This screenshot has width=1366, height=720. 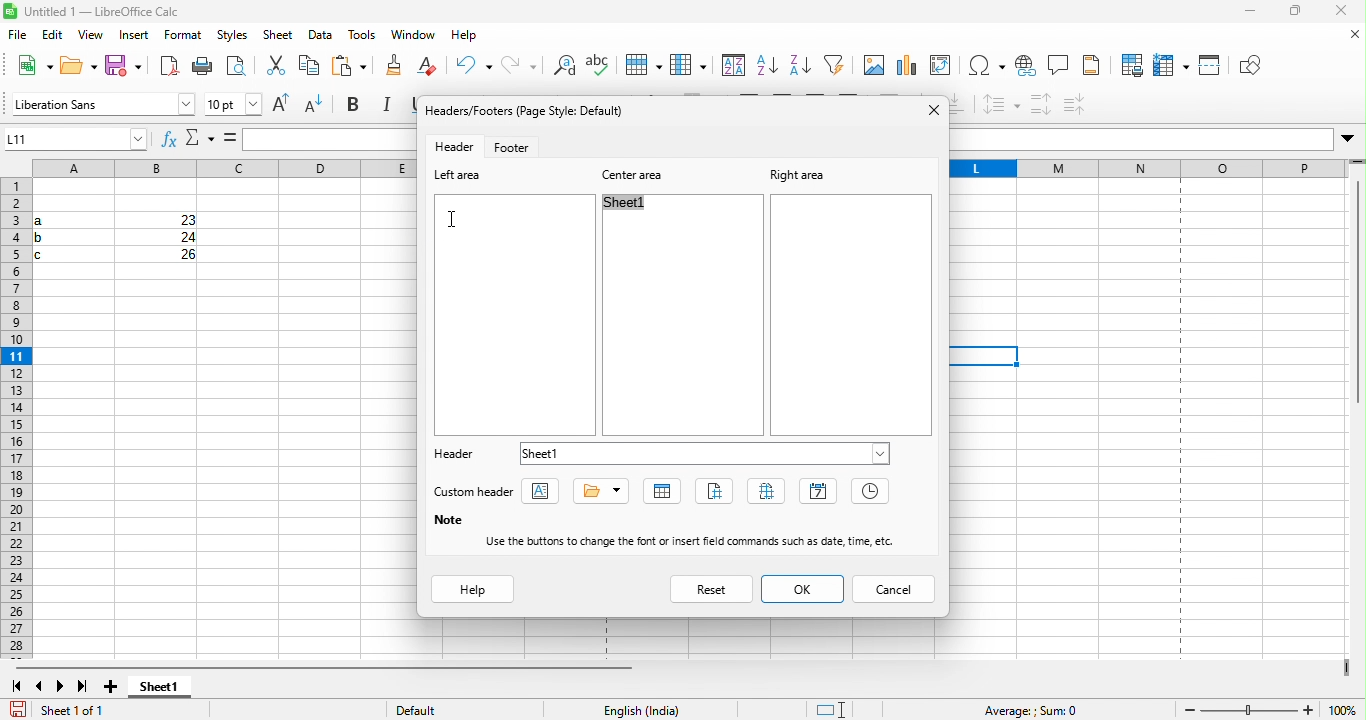 What do you see at coordinates (689, 65) in the screenshot?
I see `sort` at bounding box center [689, 65].